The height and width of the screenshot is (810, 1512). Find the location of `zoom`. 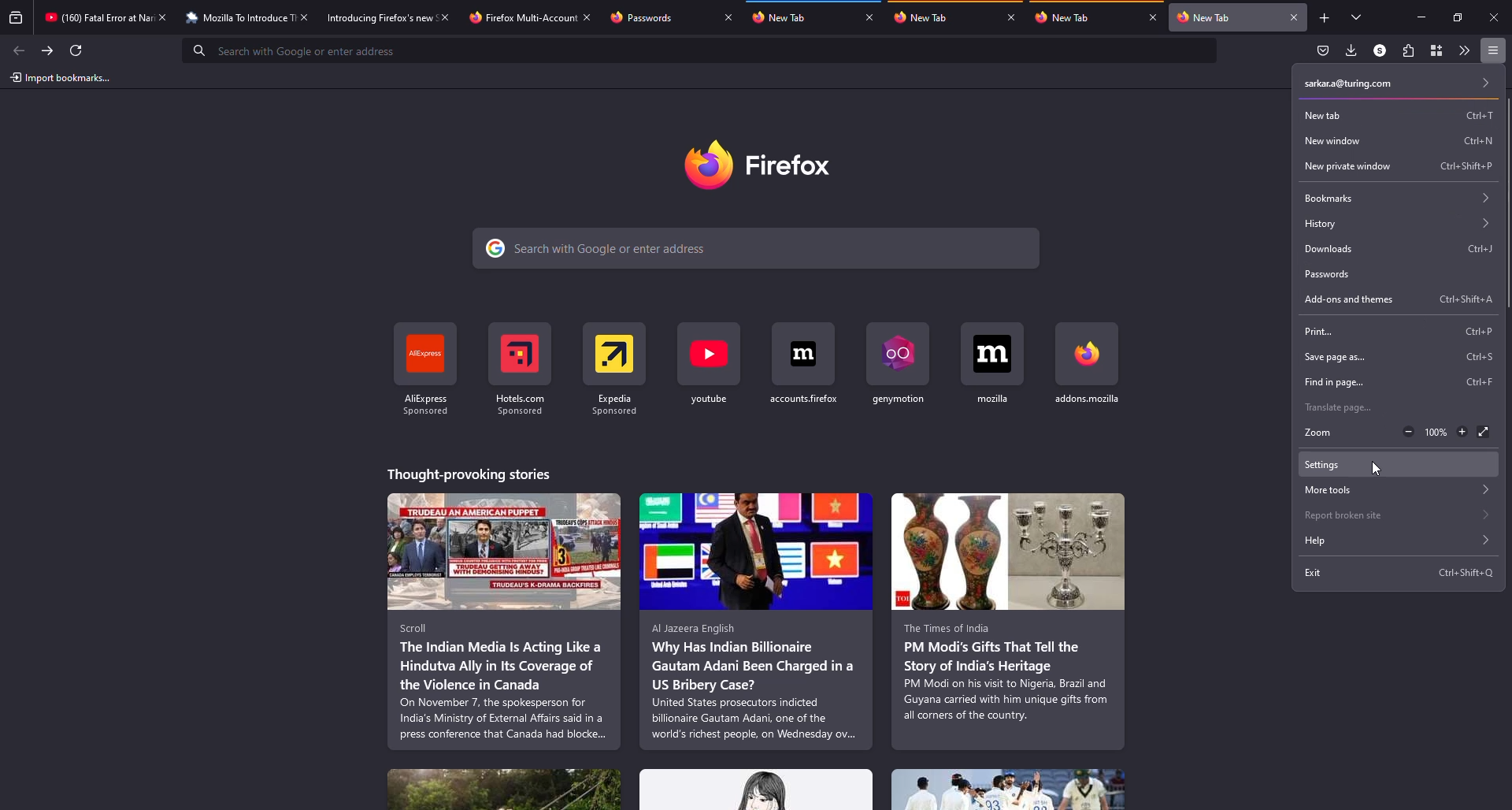

zoom is located at coordinates (1321, 433).